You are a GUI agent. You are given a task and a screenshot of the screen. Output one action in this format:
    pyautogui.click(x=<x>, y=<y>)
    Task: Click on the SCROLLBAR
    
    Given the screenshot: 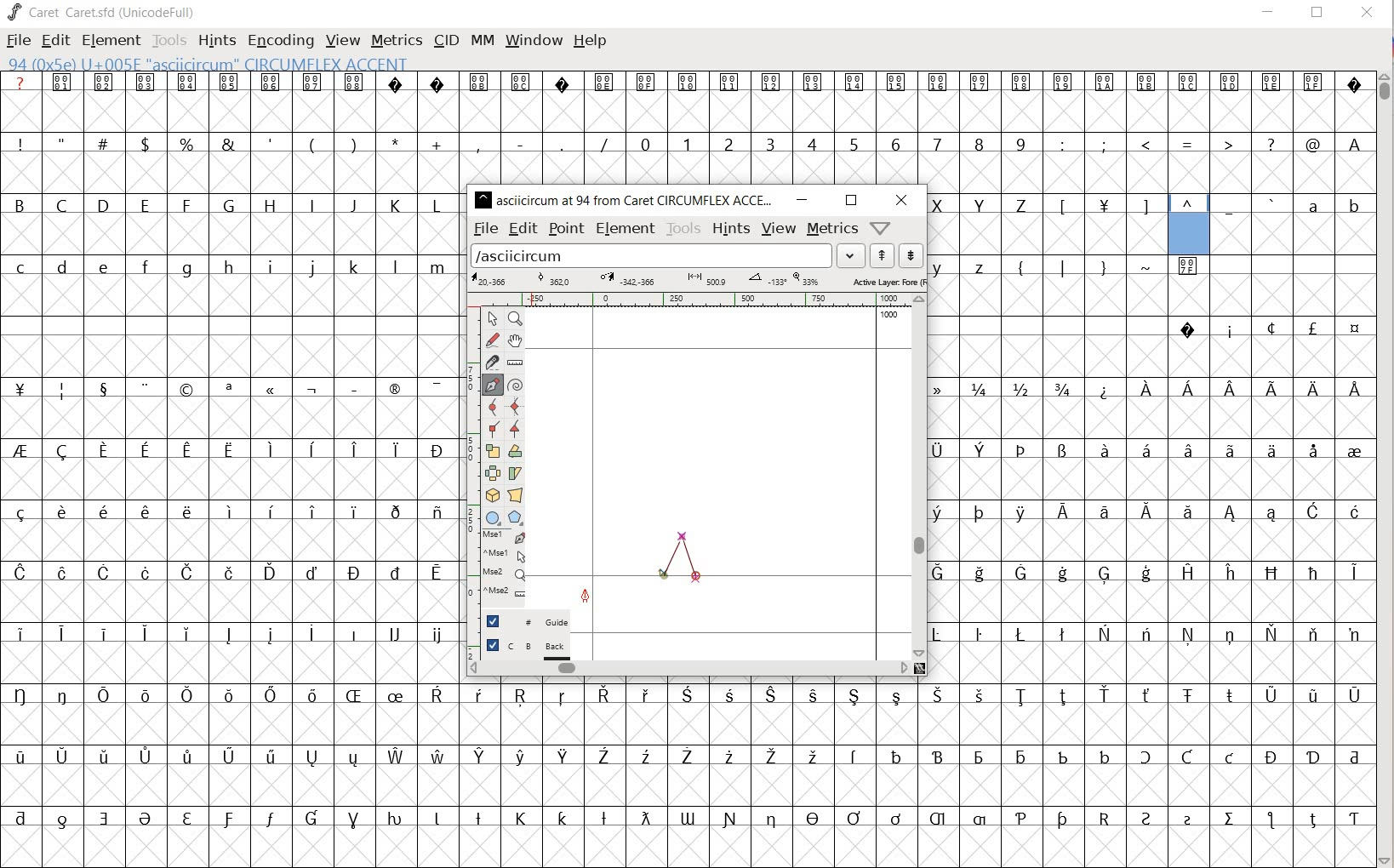 What is the action you would take?
    pyautogui.click(x=853, y=670)
    